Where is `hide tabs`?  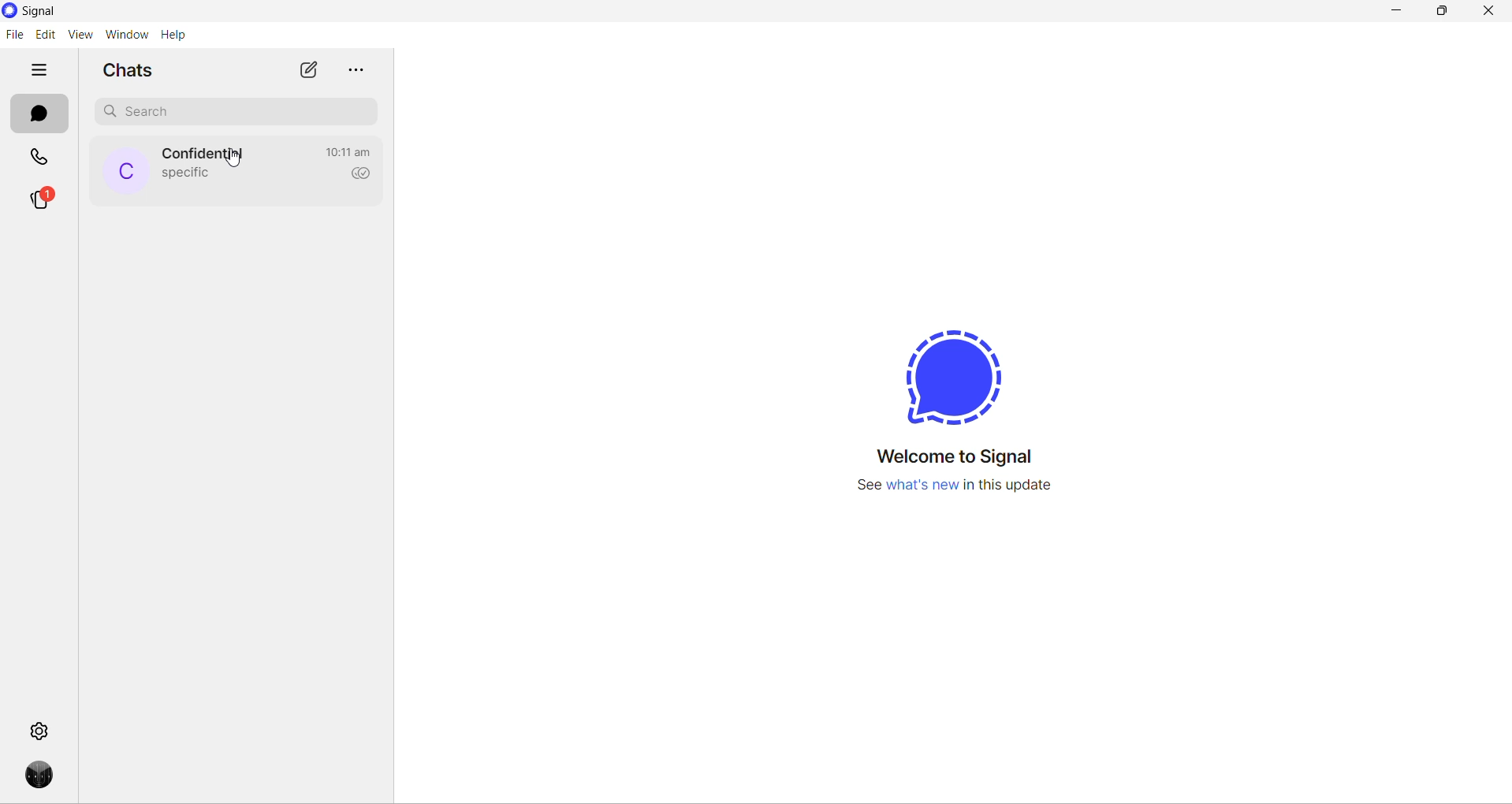
hide tabs is located at coordinates (39, 73).